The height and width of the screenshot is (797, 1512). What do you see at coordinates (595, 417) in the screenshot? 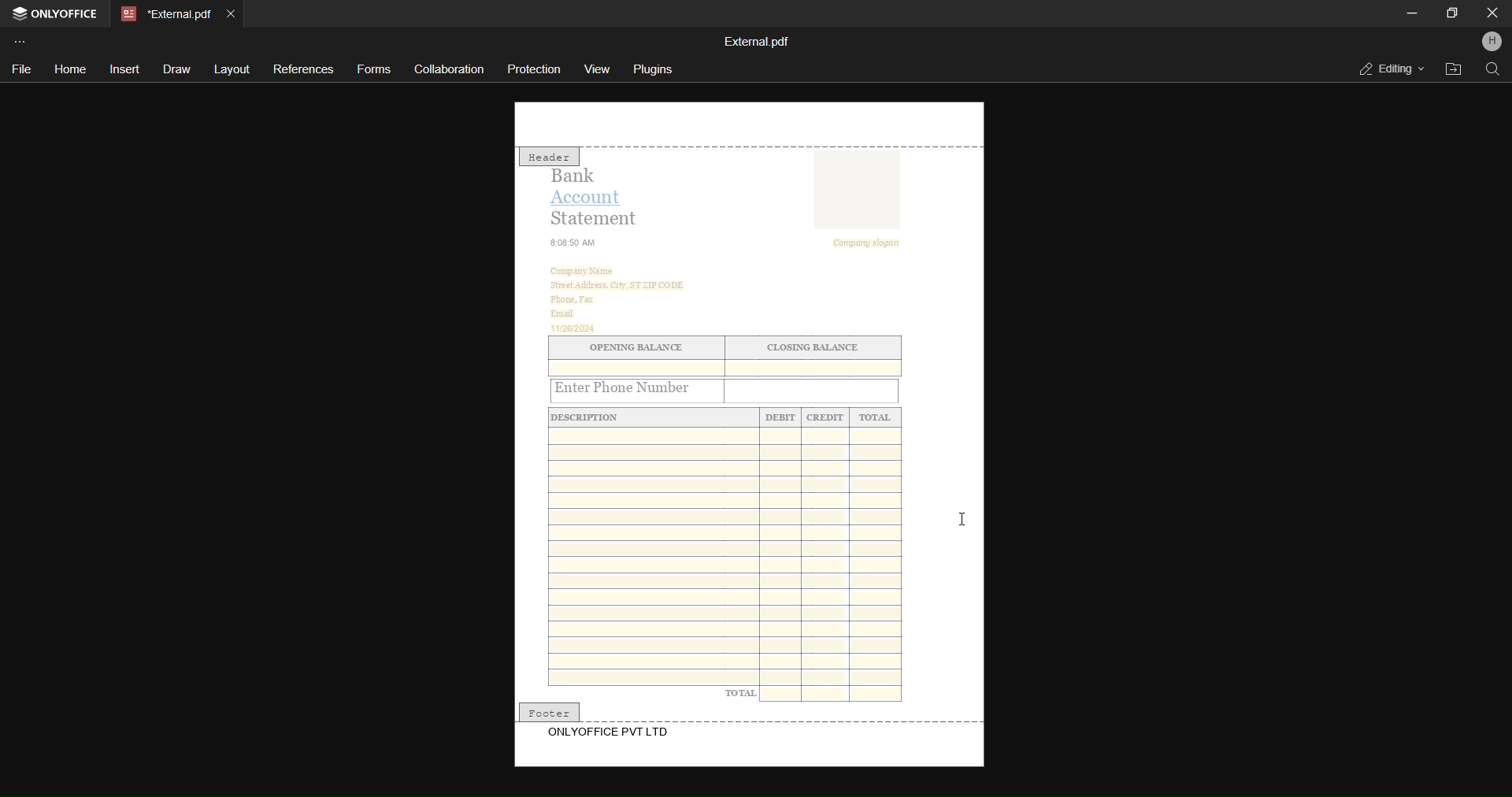
I see `DESCRIPTION` at bounding box center [595, 417].